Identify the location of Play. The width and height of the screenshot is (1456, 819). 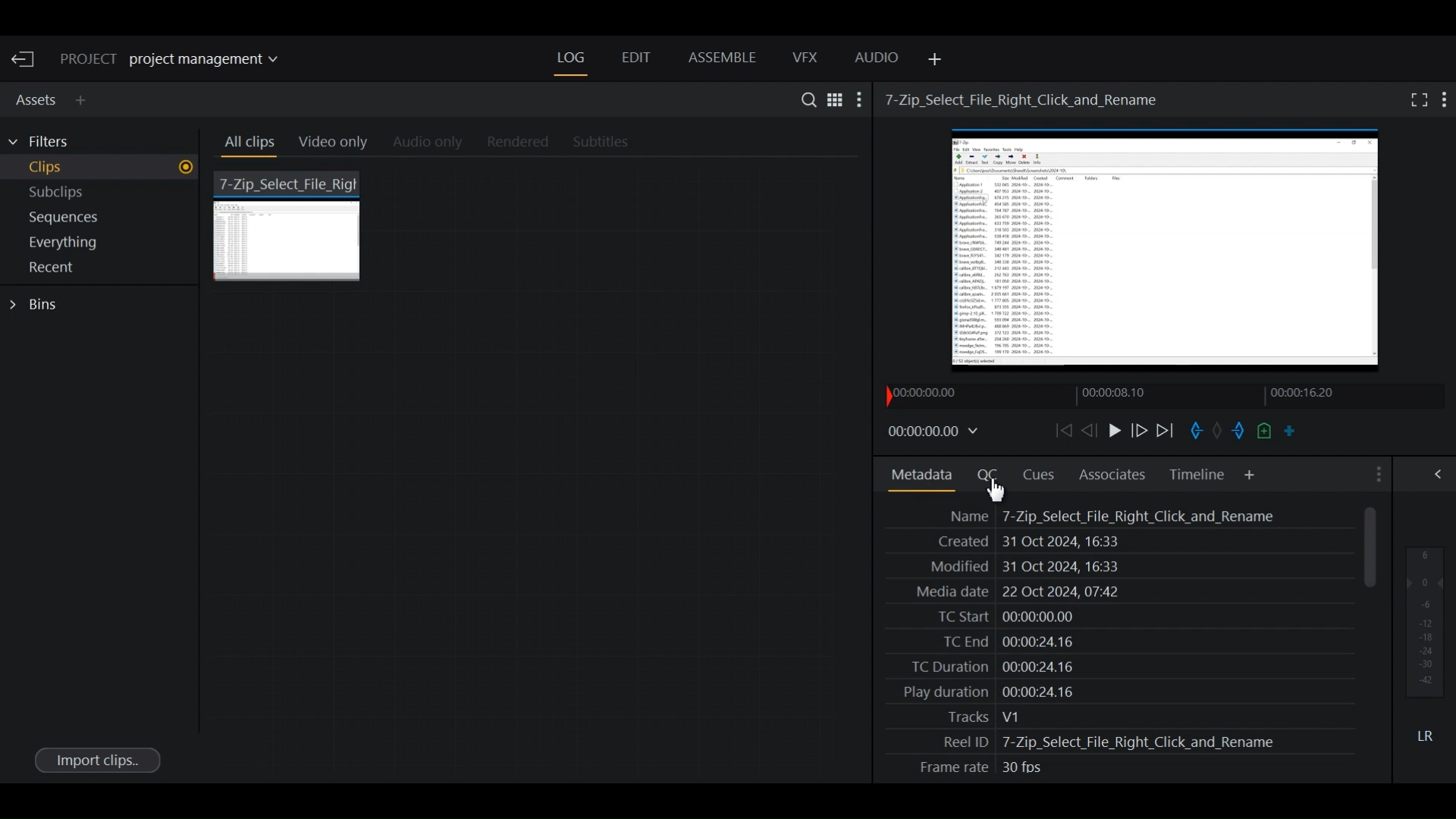
(1113, 430).